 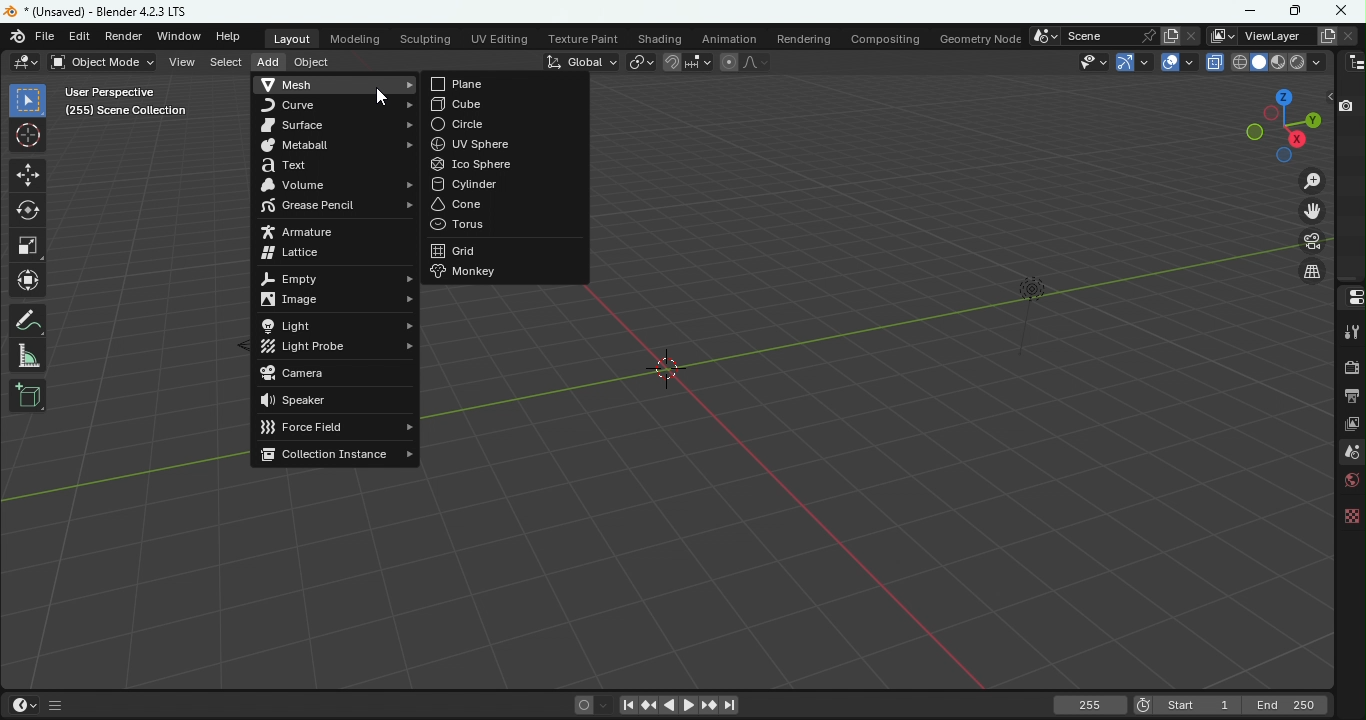 I want to click on UN sphere, so click(x=506, y=144).